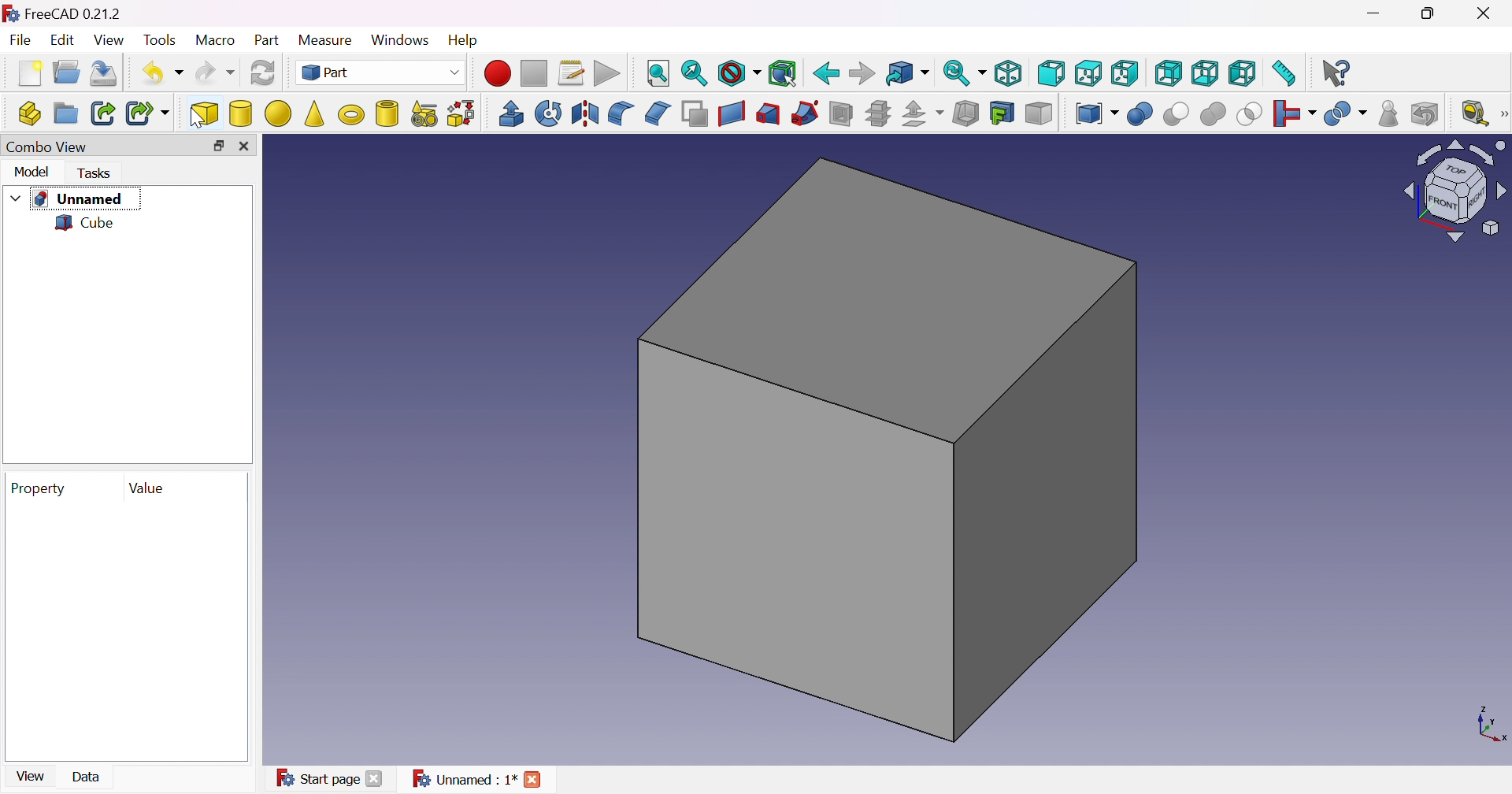  Describe the element at coordinates (1169, 74) in the screenshot. I see `Rear` at that location.